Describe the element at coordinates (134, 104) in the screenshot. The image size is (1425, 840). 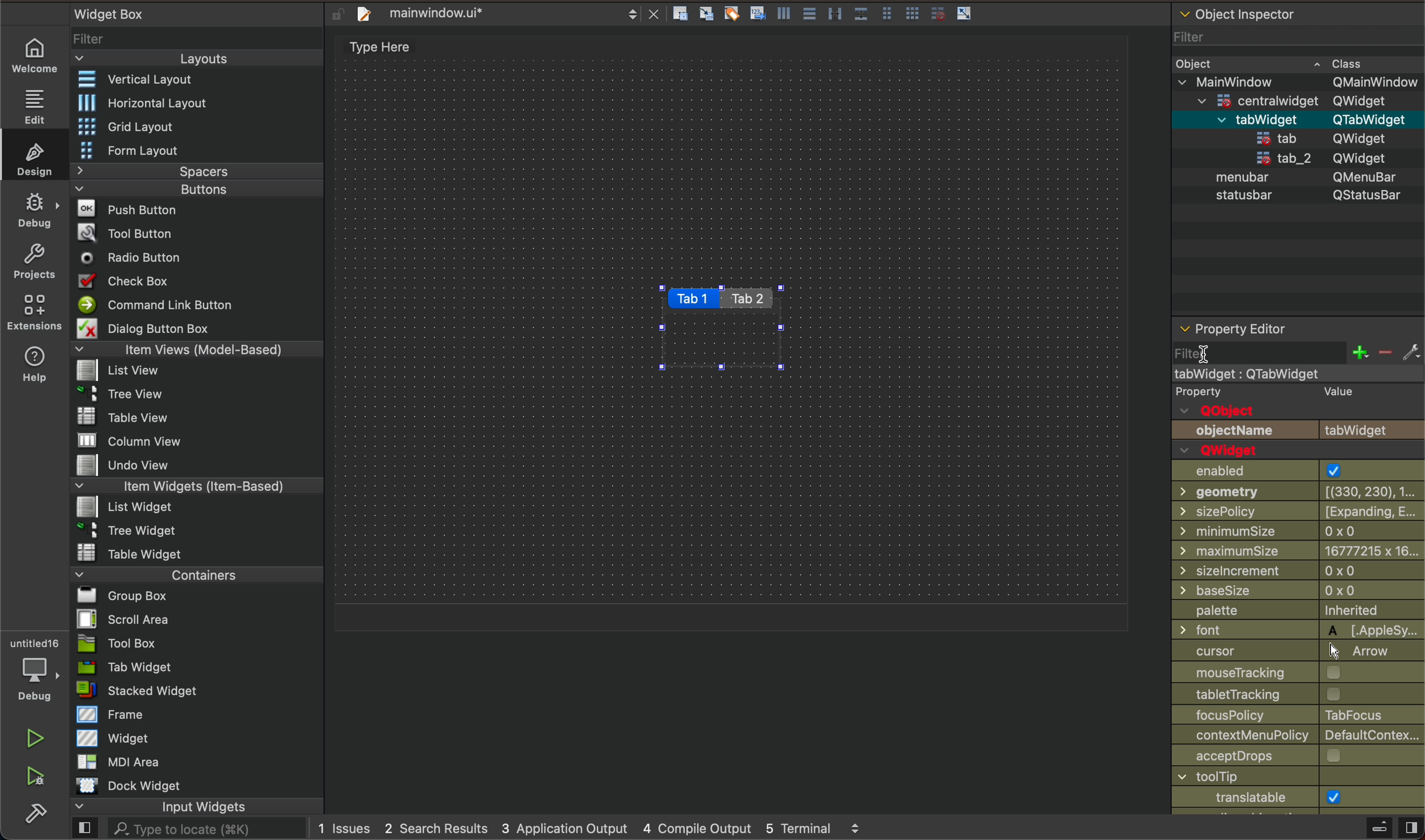
I see `Horizontal Layout` at that location.